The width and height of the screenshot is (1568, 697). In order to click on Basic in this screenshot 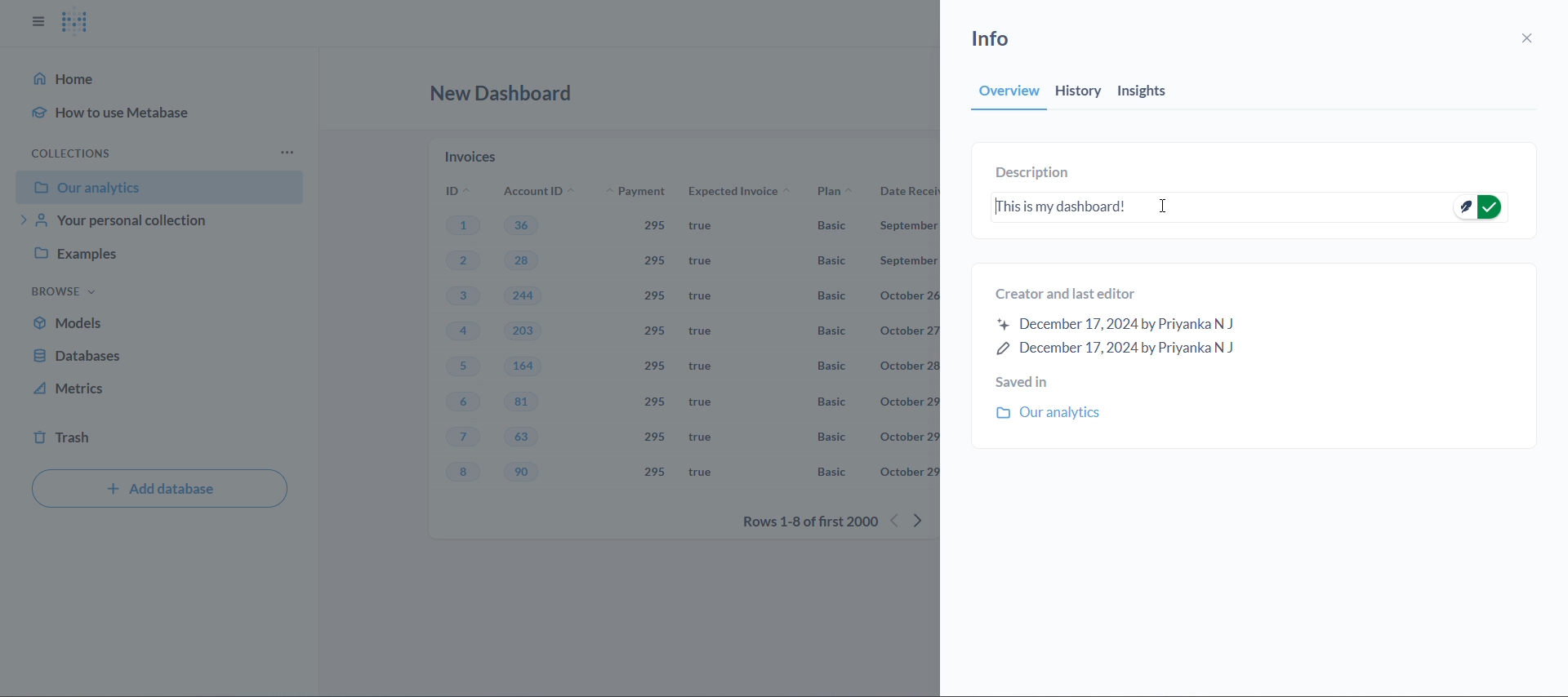, I will do `click(827, 472)`.